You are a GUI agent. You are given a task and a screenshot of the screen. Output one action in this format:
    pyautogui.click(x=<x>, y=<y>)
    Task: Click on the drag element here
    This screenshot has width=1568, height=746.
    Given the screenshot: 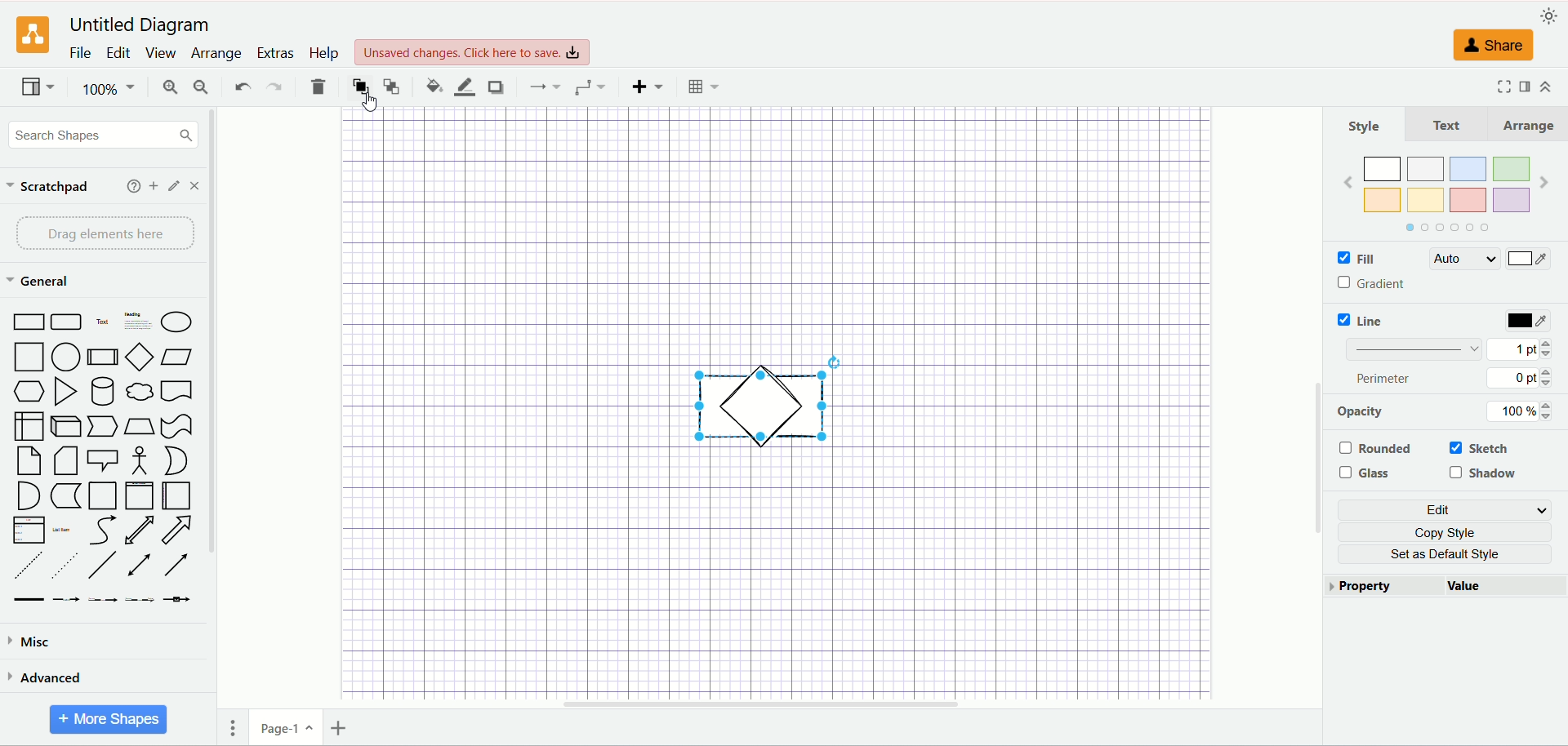 What is the action you would take?
    pyautogui.click(x=105, y=233)
    